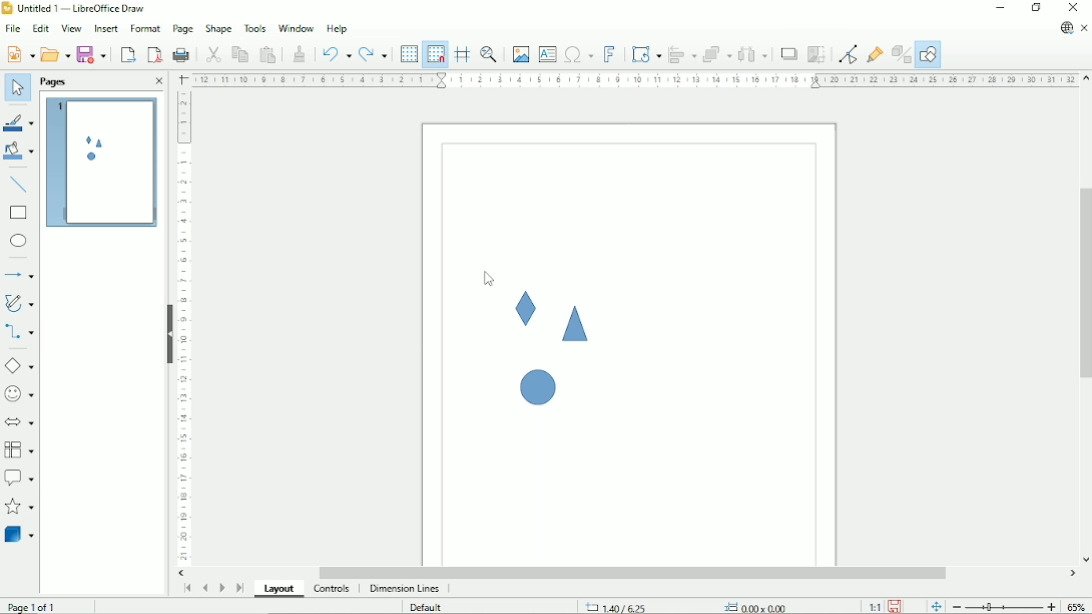 The image size is (1092, 614). Describe the element at coordinates (689, 606) in the screenshot. I see `Cursor position` at that location.